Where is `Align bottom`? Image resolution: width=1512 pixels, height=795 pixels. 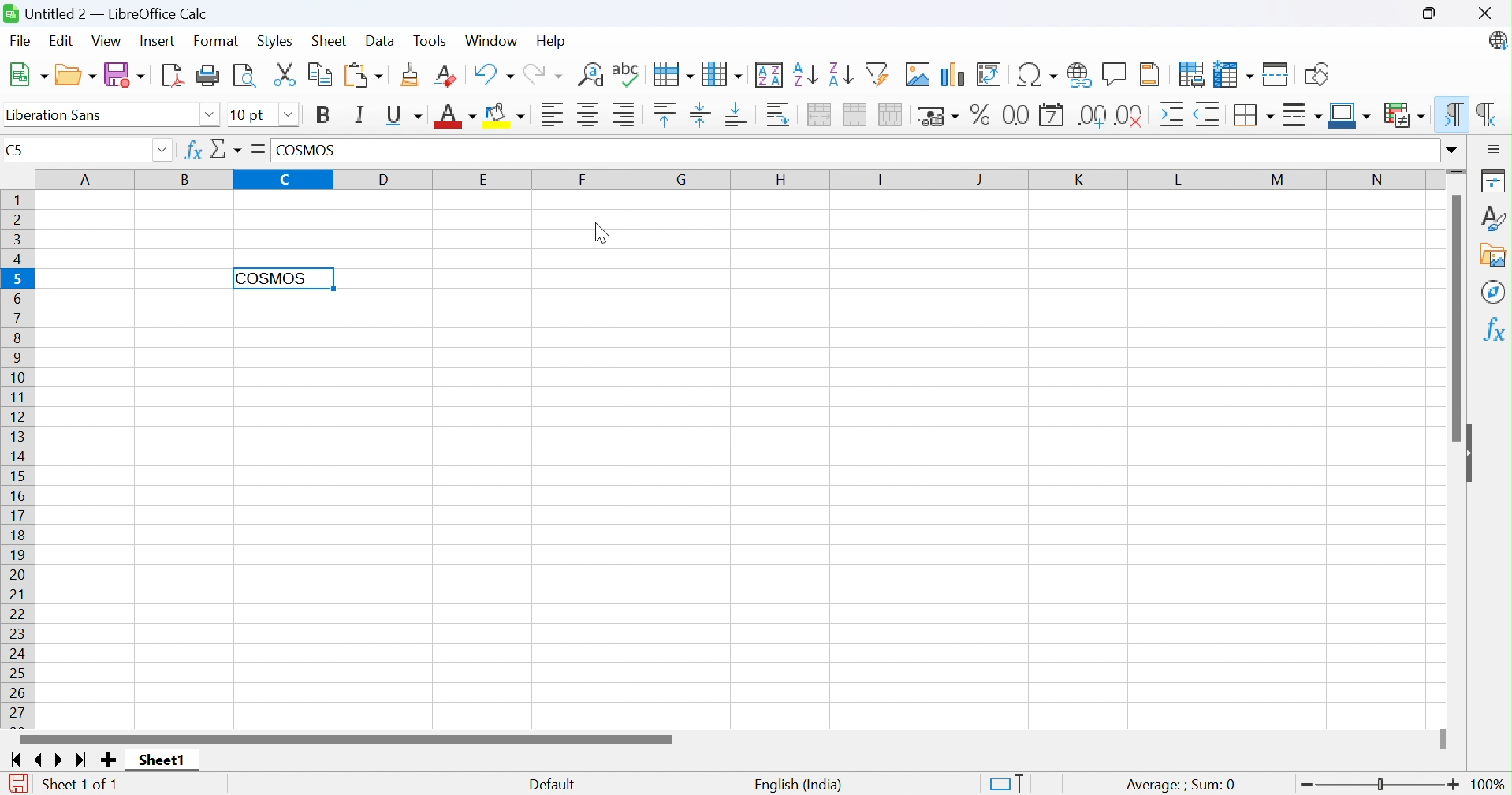 Align bottom is located at coordinates (736, 114).